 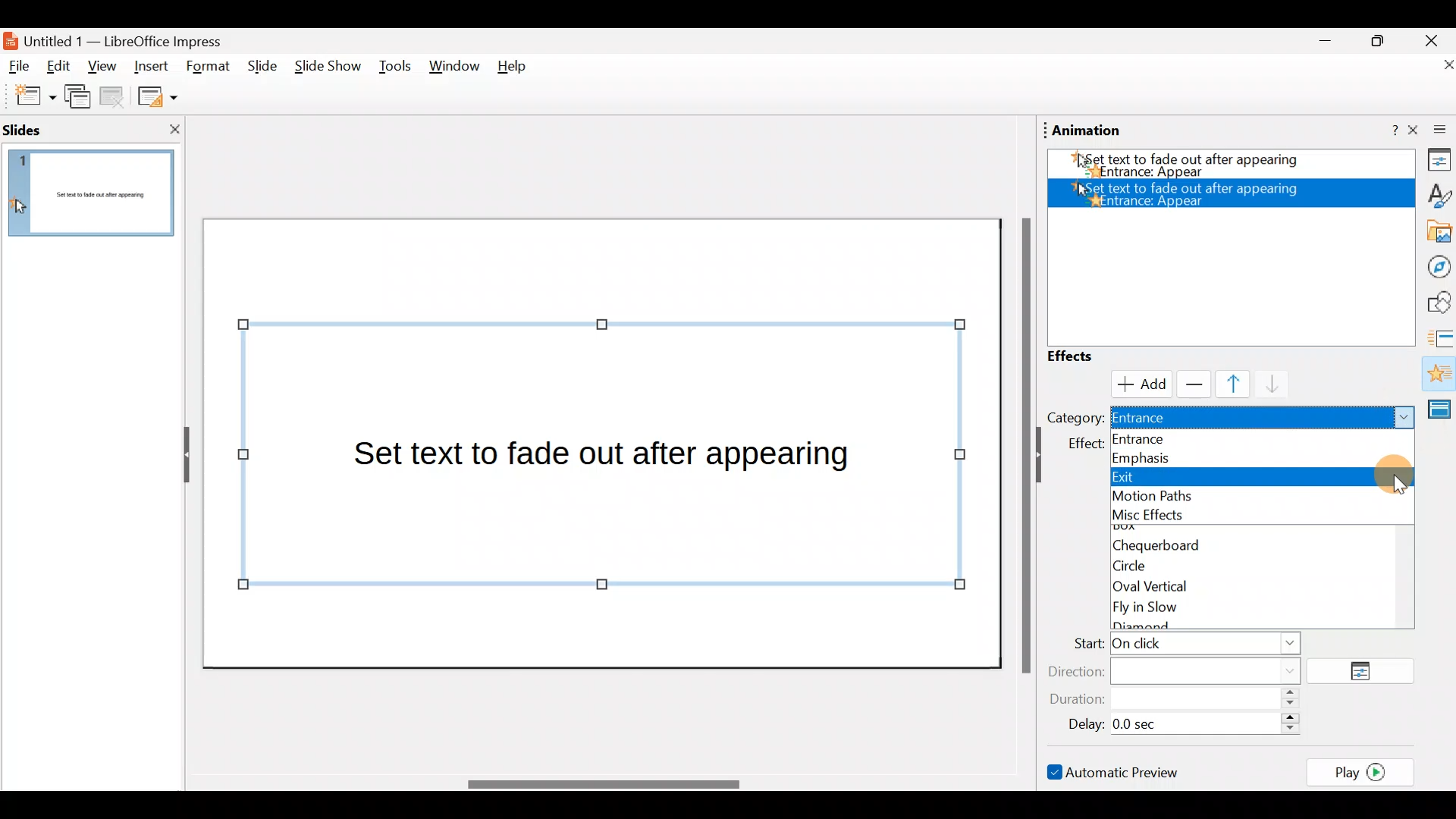 I want to click on Start, so click(x=1182, y=645).